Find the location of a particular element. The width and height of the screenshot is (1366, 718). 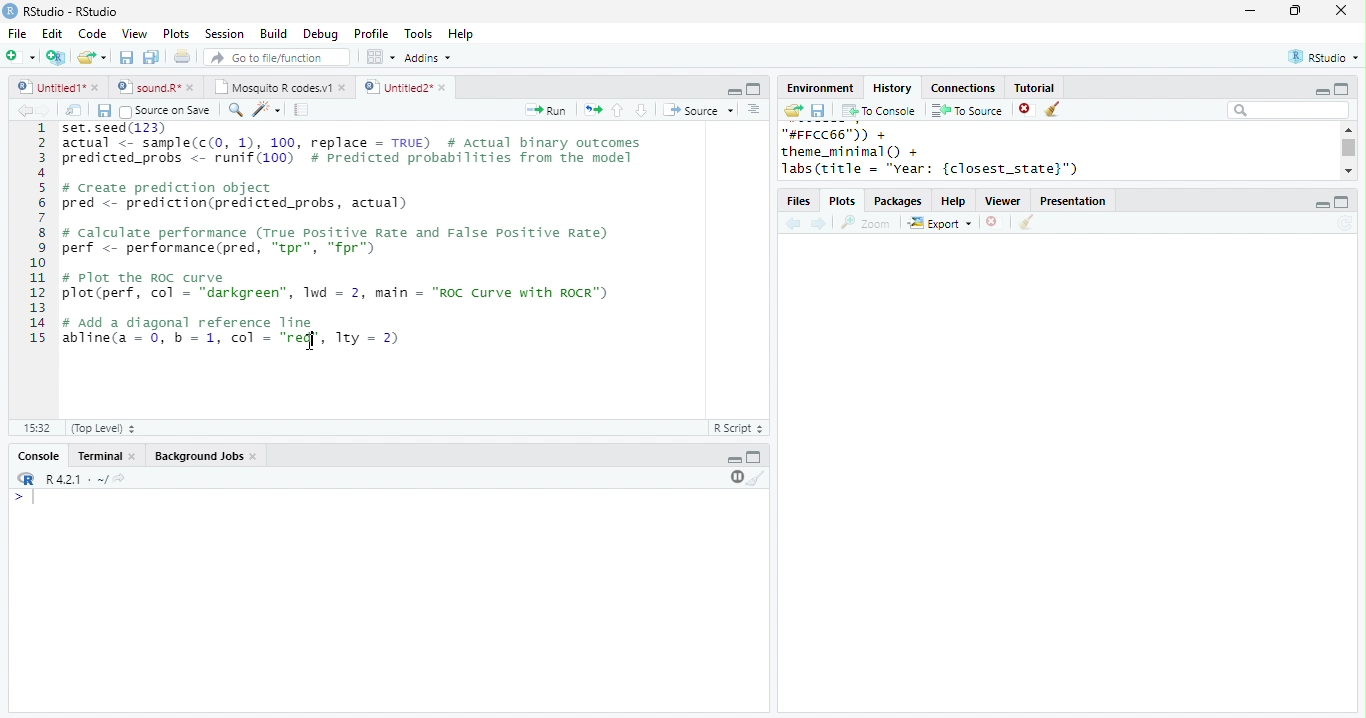

cursor is located at coordinates (315, 344).